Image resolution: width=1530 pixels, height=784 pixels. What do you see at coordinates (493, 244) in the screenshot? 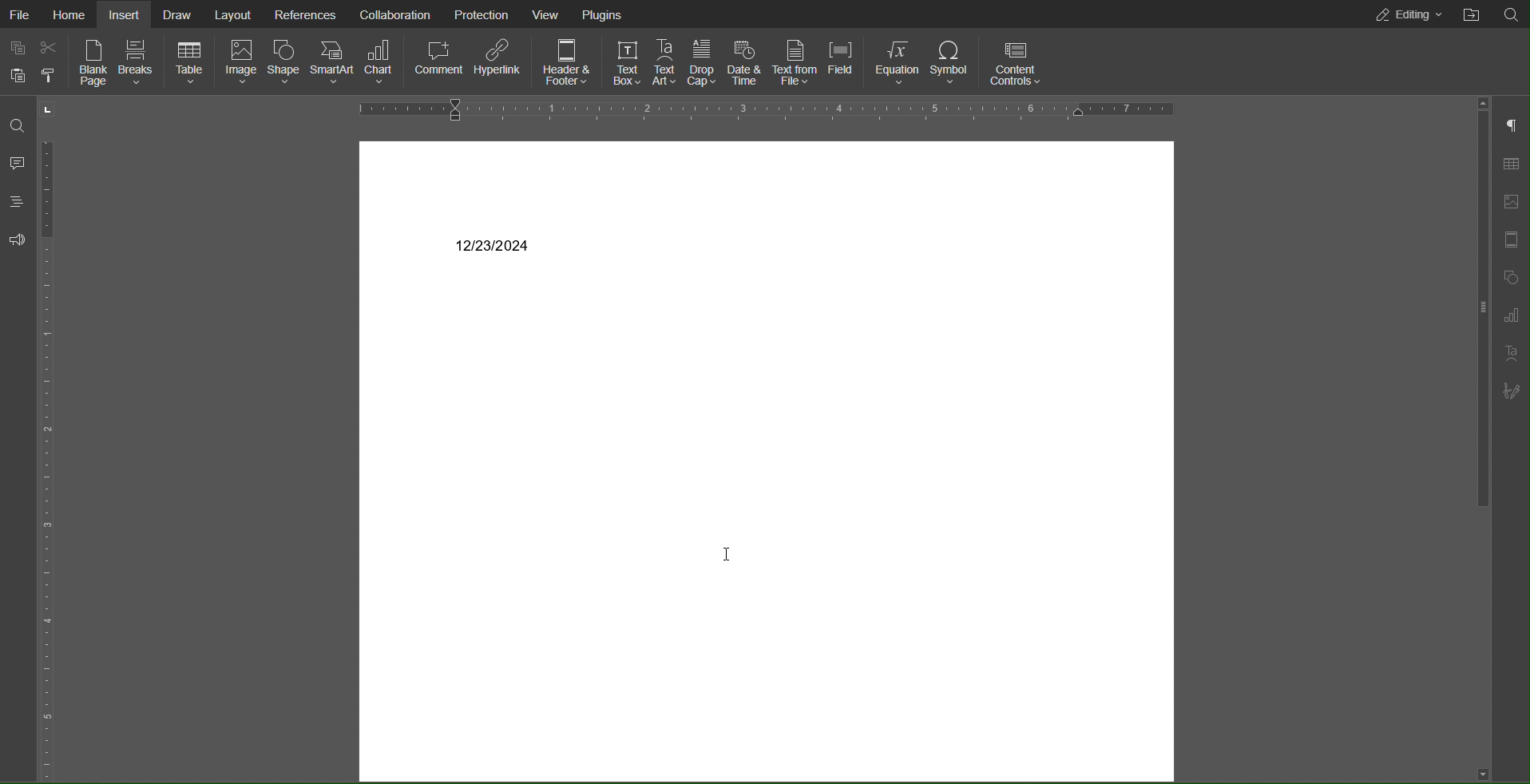
I see `Date` at bounding box center [493, 244].